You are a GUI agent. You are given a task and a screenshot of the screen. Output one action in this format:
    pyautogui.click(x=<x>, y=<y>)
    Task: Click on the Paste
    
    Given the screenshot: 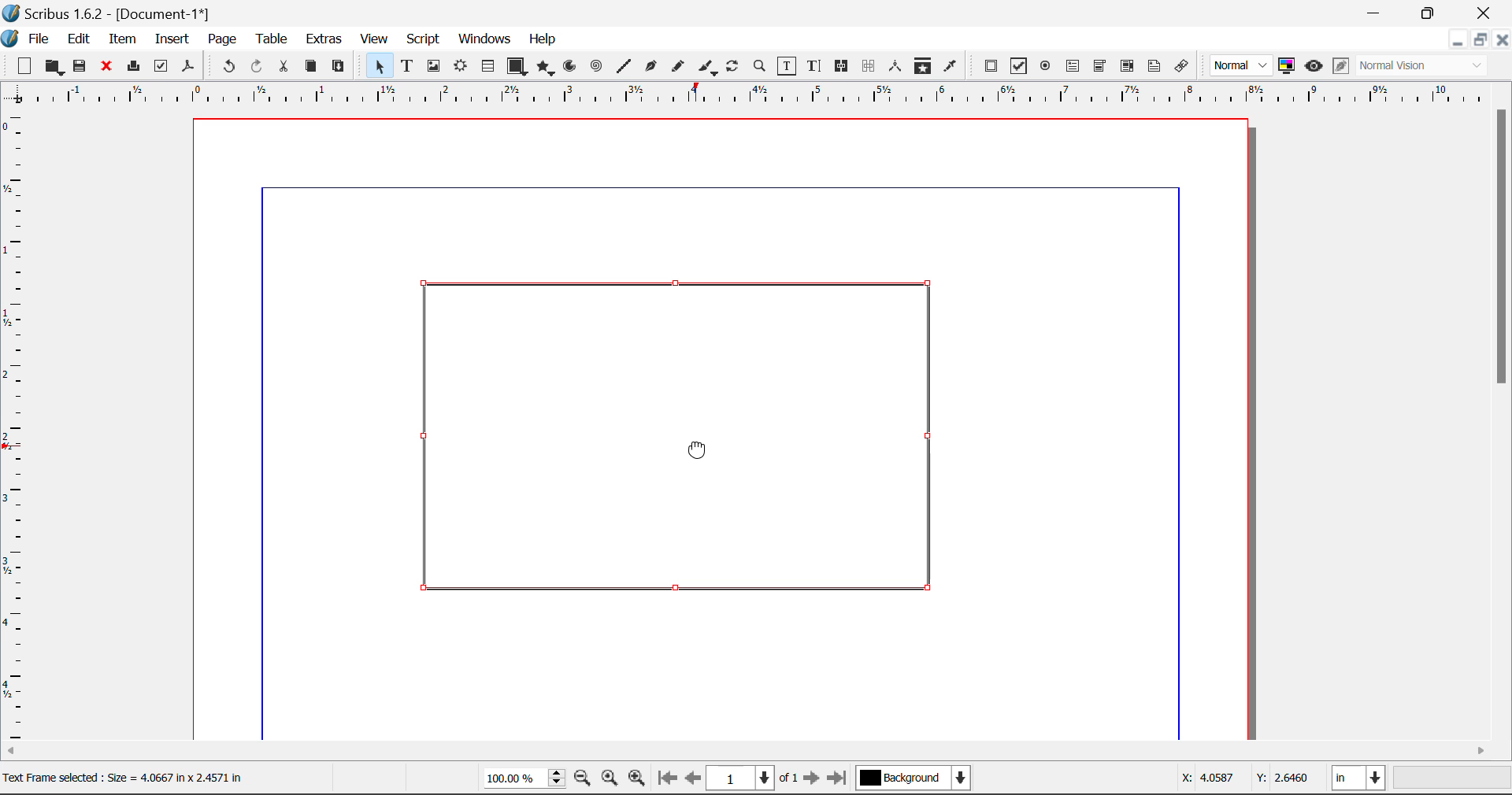 What is the action you would take?
    pyautogui.click(x=339, y=67)
    